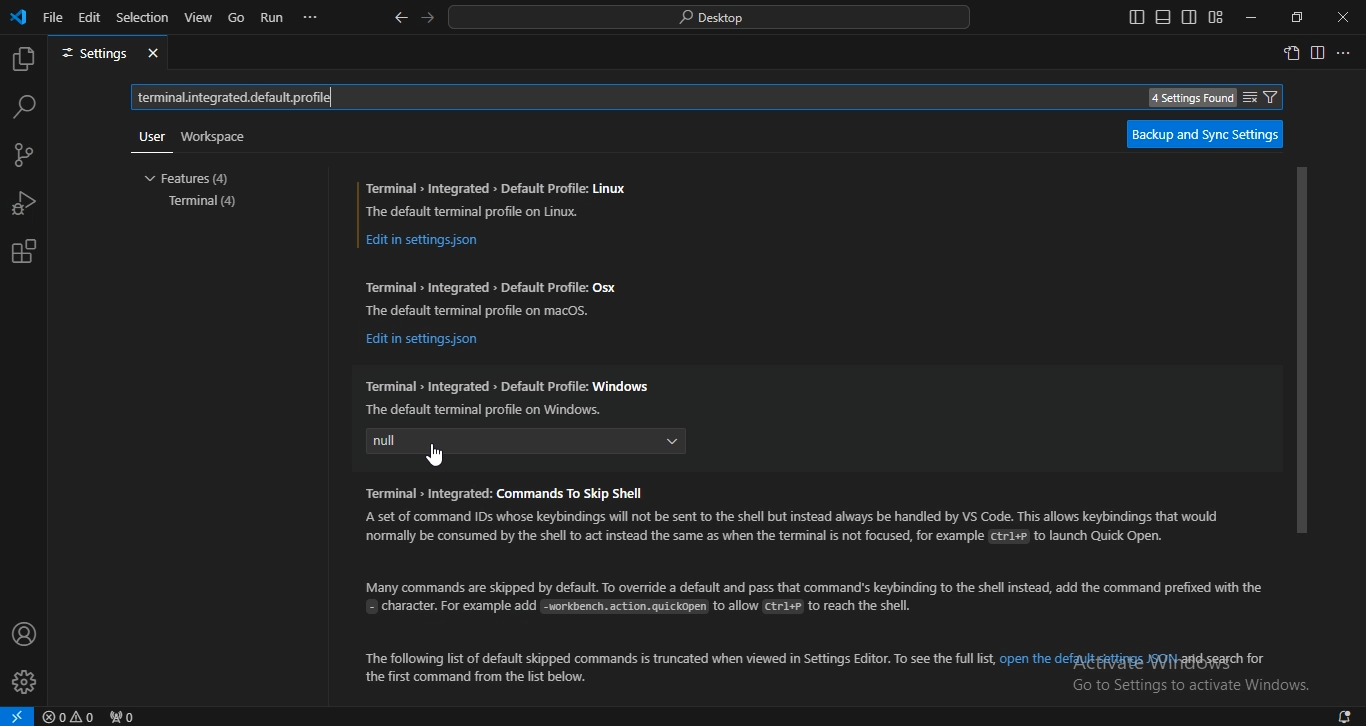 This screenshot has width=1366, height=726. What do you see at coordinates (236, 19) in the screenshot?
I see `go` at bounding box center [236, 19].